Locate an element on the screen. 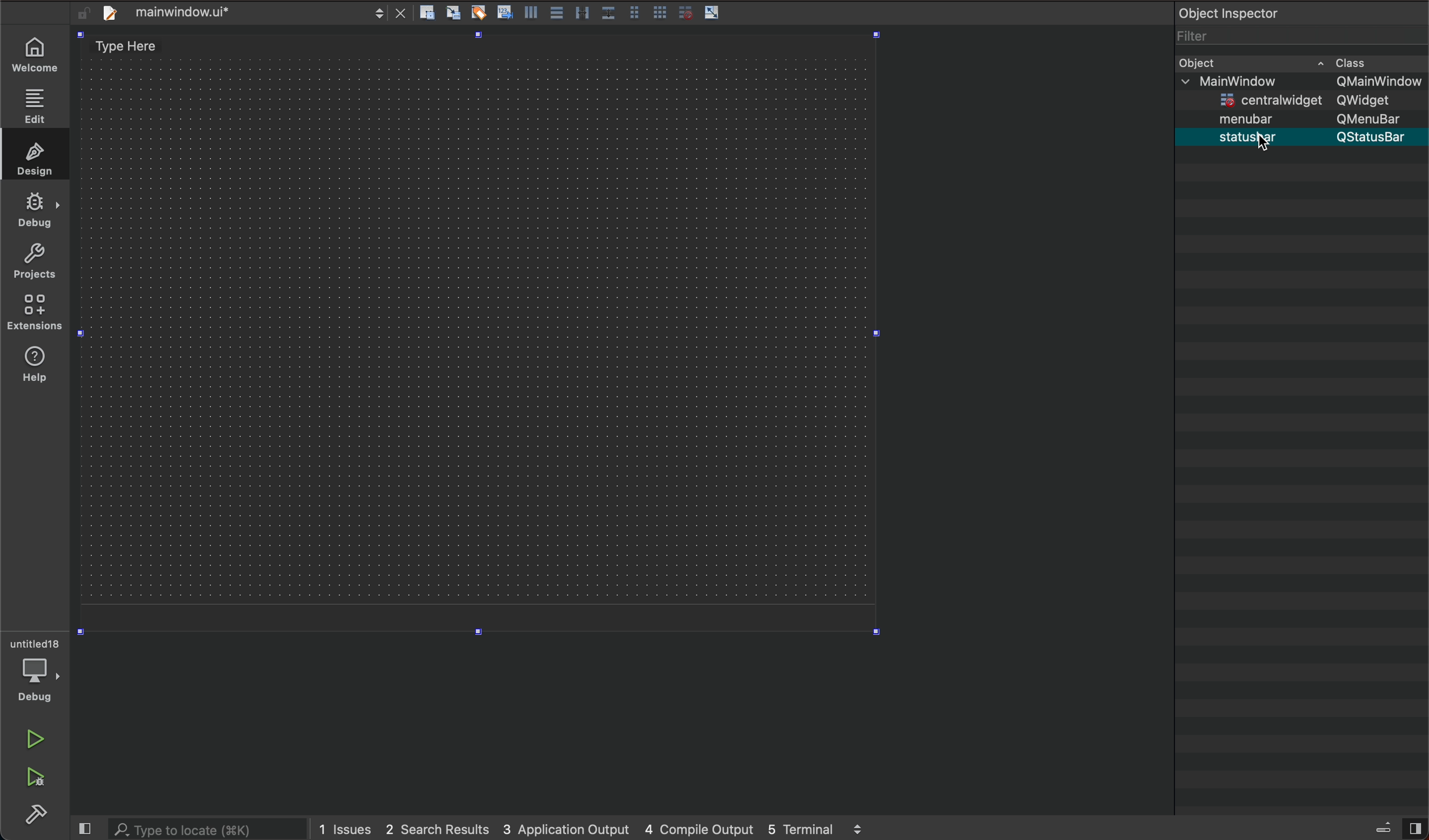 The height and width of the screenshot is (840, 1429). help is located at coordinates (32, 314).